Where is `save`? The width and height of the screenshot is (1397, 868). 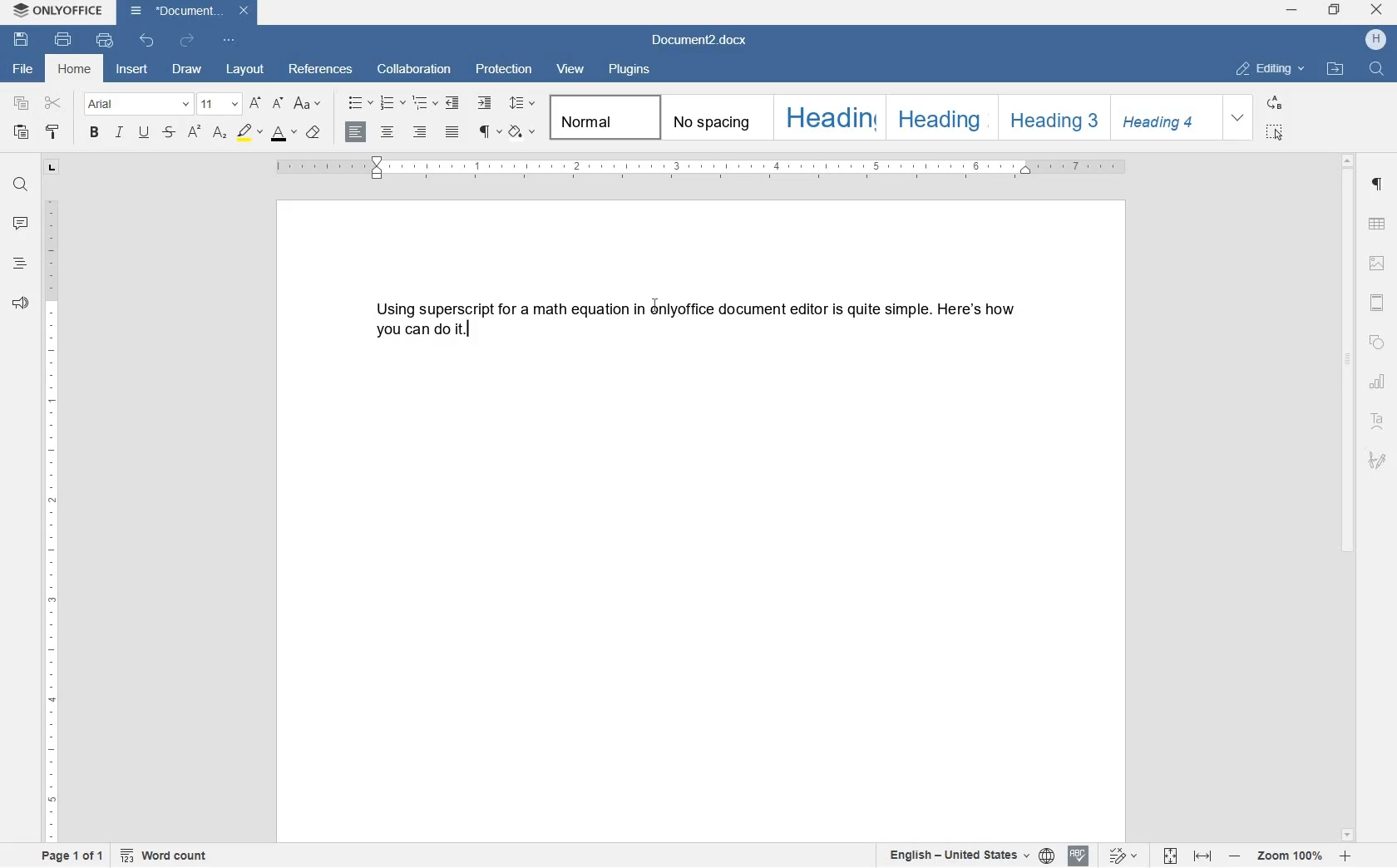
save is located at coordinates (23, 40).